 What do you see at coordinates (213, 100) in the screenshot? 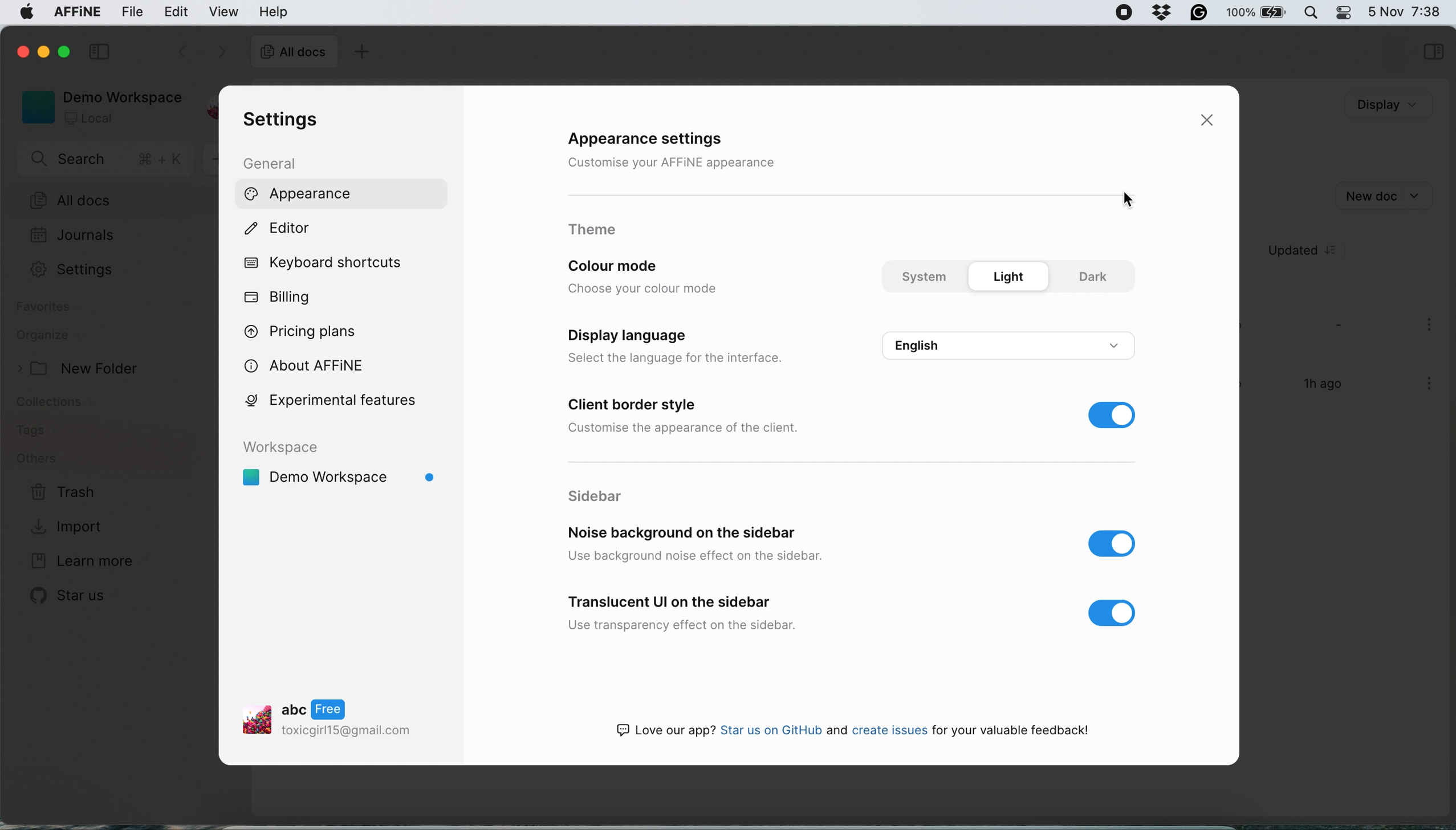
I see `profile` at bounding box center [213, 100].